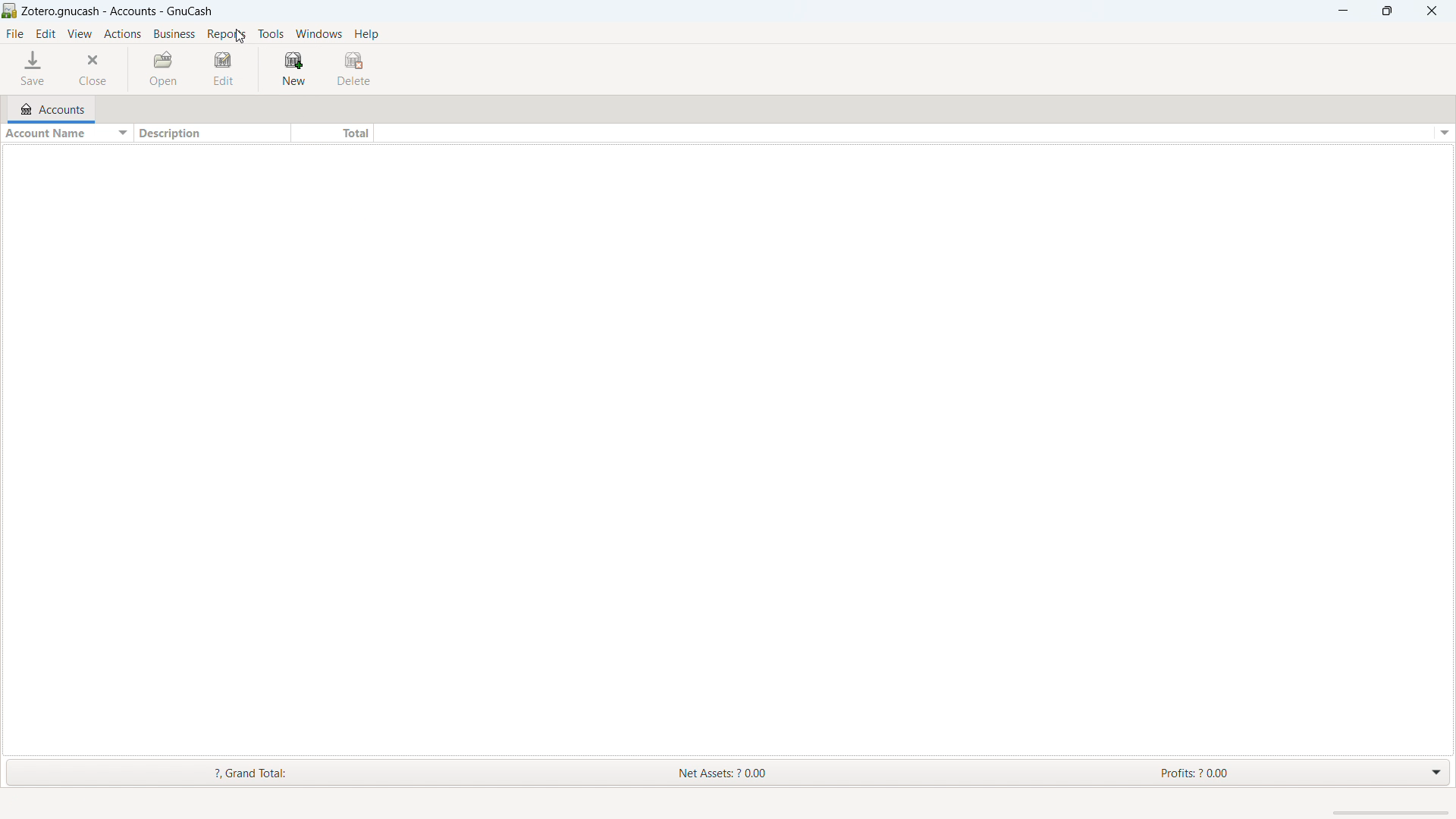 This screenshot has height=819, width=1456. What do you see at coordinates (119, 12) in the screenshot?
I see `title` at bounding box center [119, 12].